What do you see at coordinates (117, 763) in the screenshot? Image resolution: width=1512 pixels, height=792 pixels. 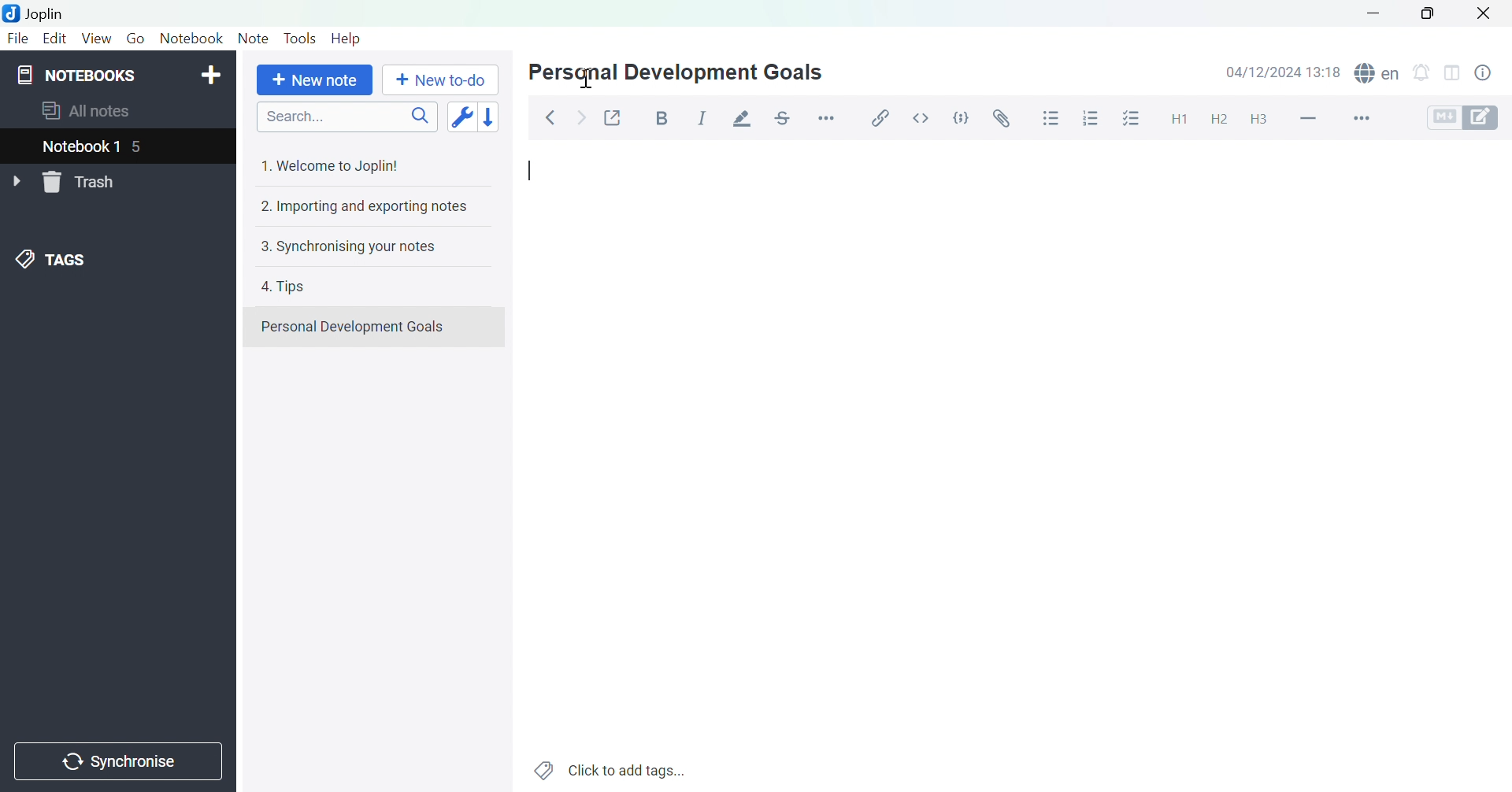 I see `Synchronise` at bounding box center [117, 763].